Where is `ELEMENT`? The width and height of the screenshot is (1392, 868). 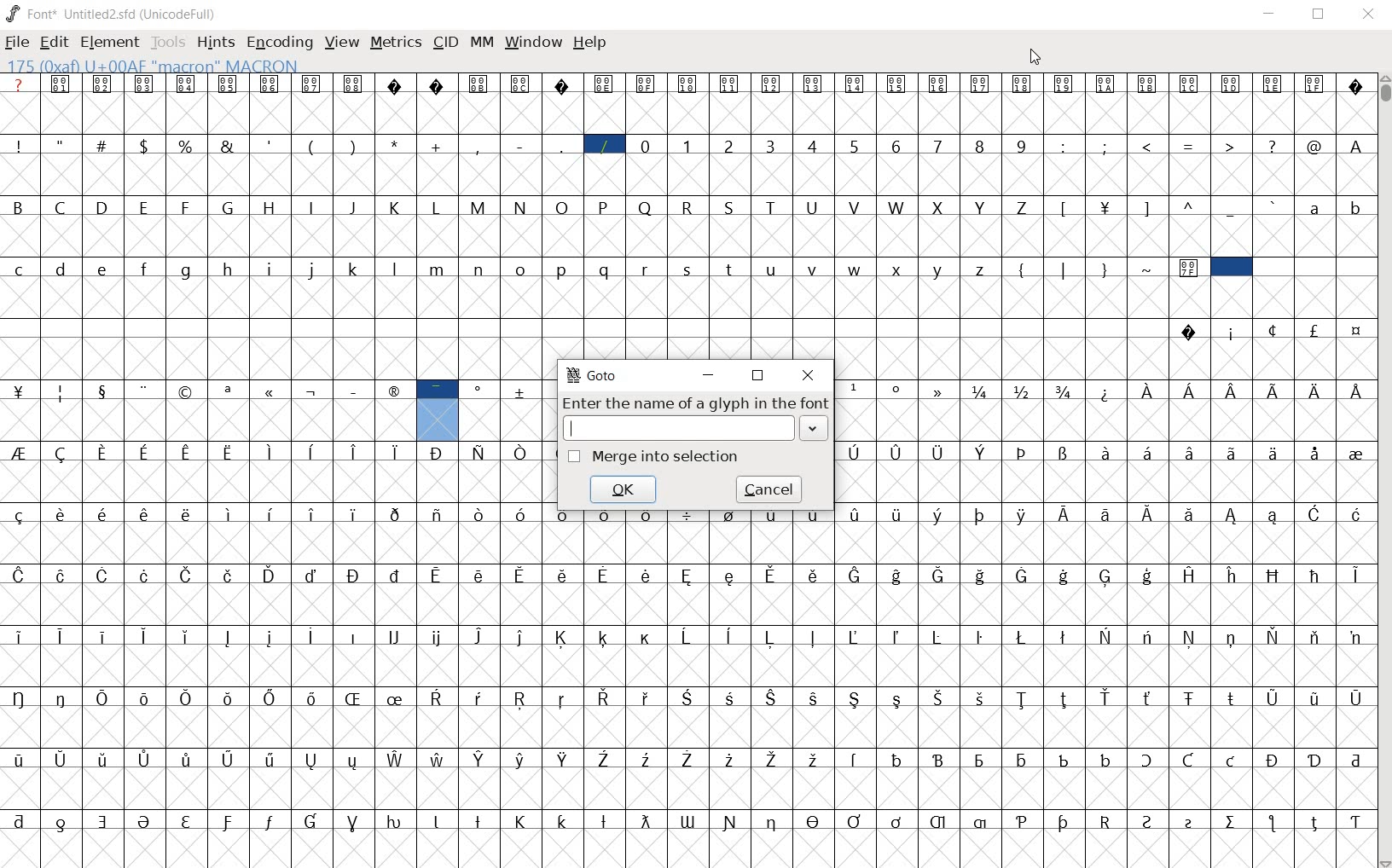 ELEMENT is located at coordinates (111, 44).